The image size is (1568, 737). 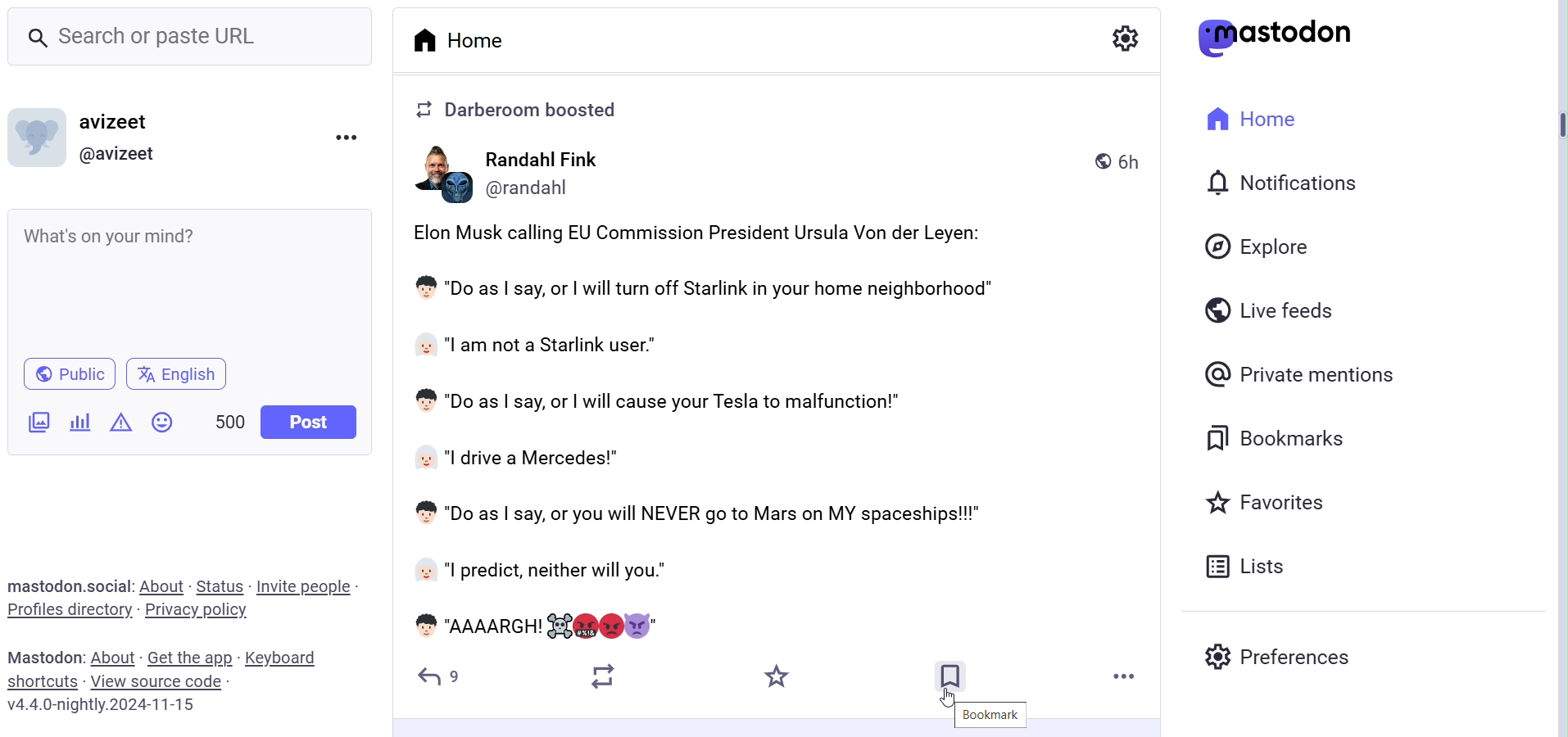 What do you see at coordinates (346, 137) in the screenshot?
I see `Menu` at bounding box center [346, 137].